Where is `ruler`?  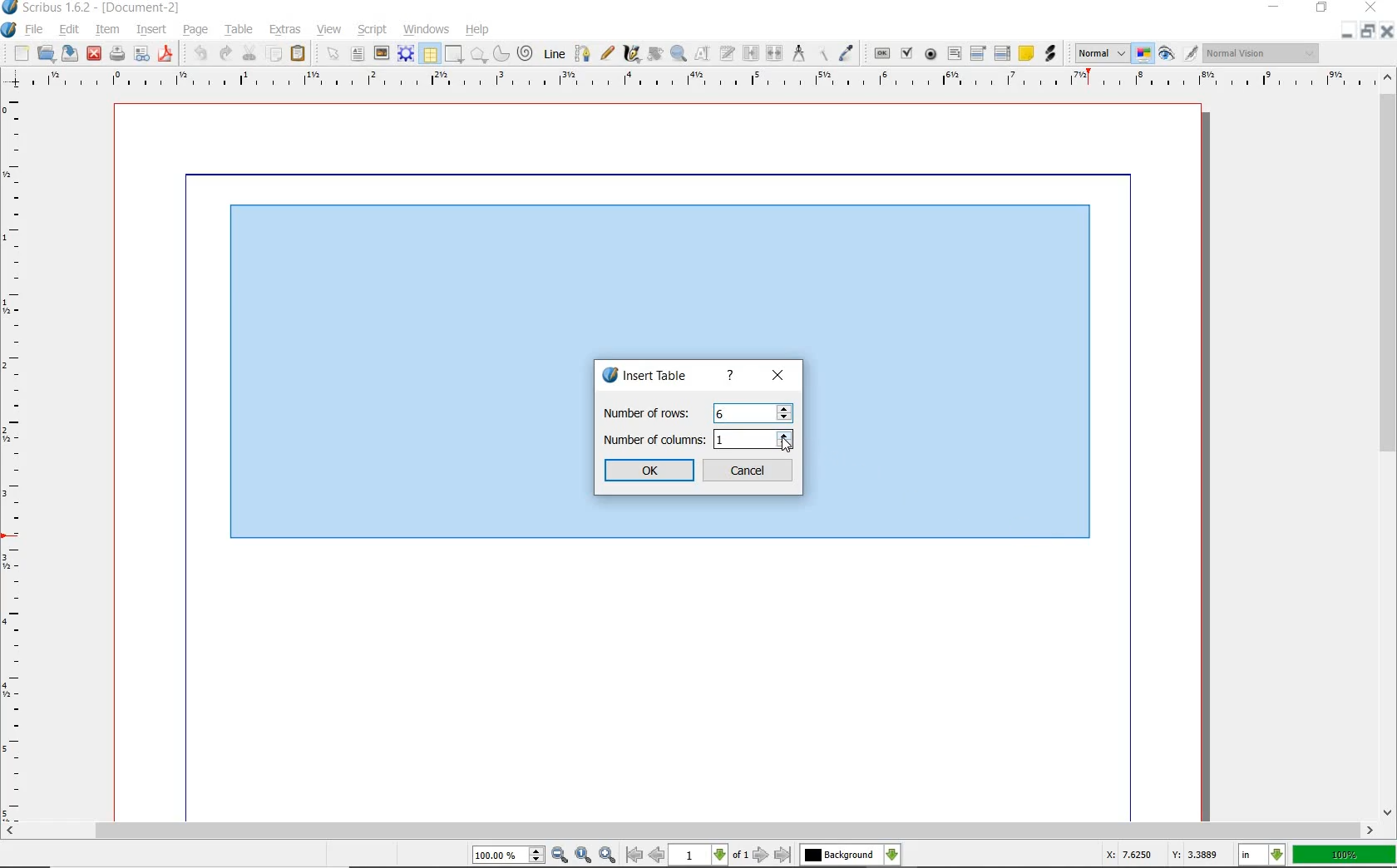
ruler is located at coordinates (15, 458).